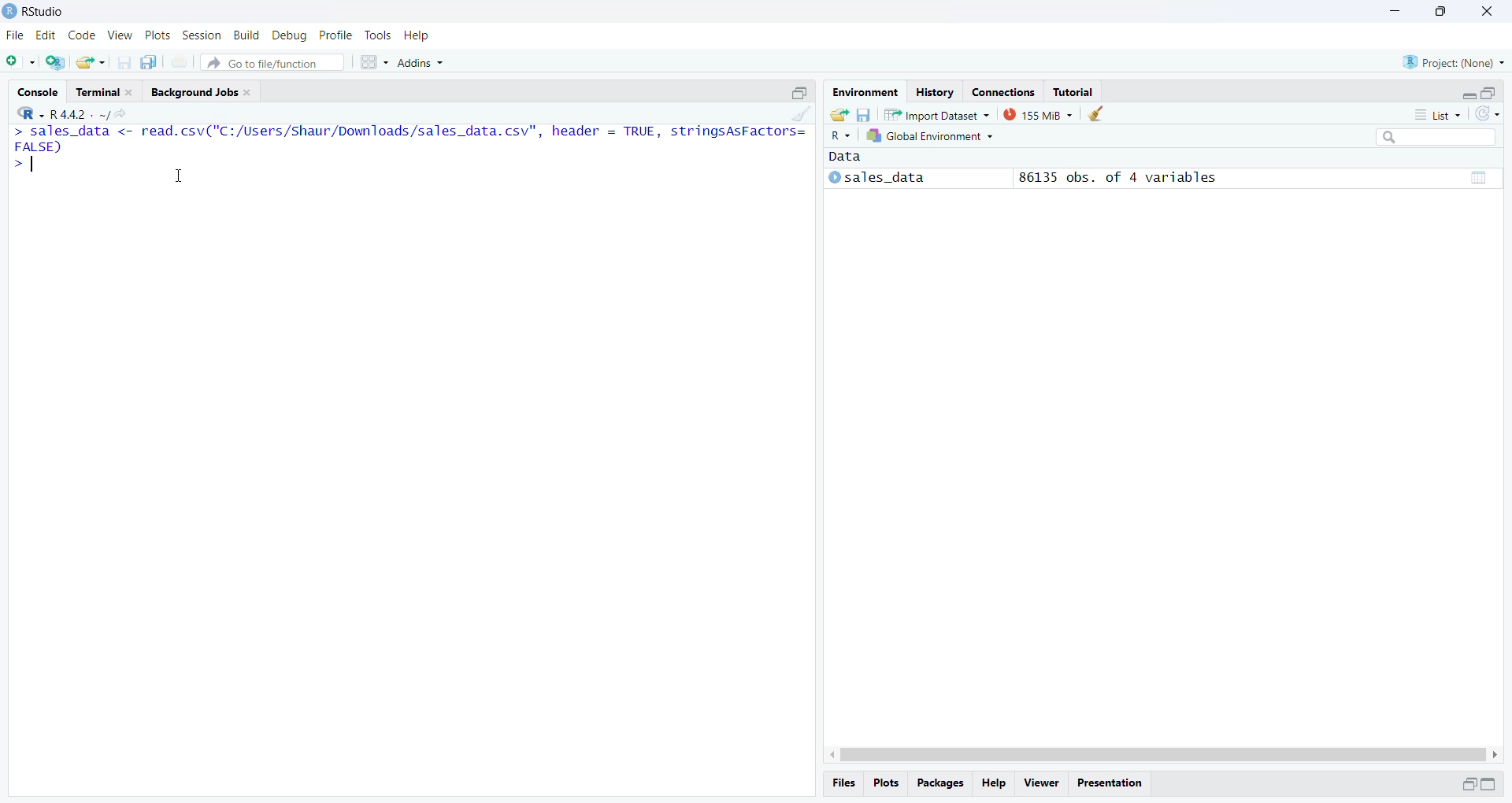  I want to click on Load workspace, so click(839, 115).